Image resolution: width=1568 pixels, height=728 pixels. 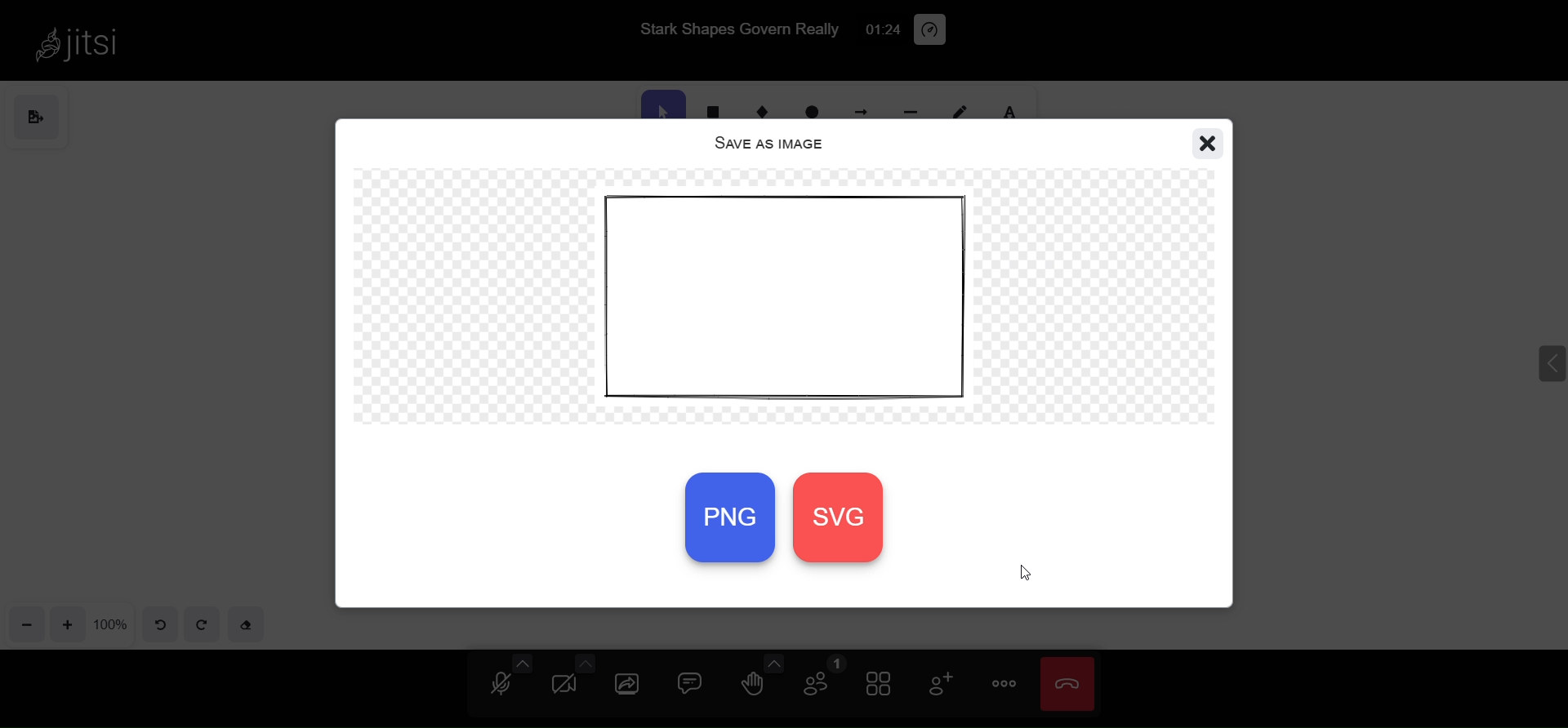 I want to click on zoom percentage, so click(x=113, y=623).